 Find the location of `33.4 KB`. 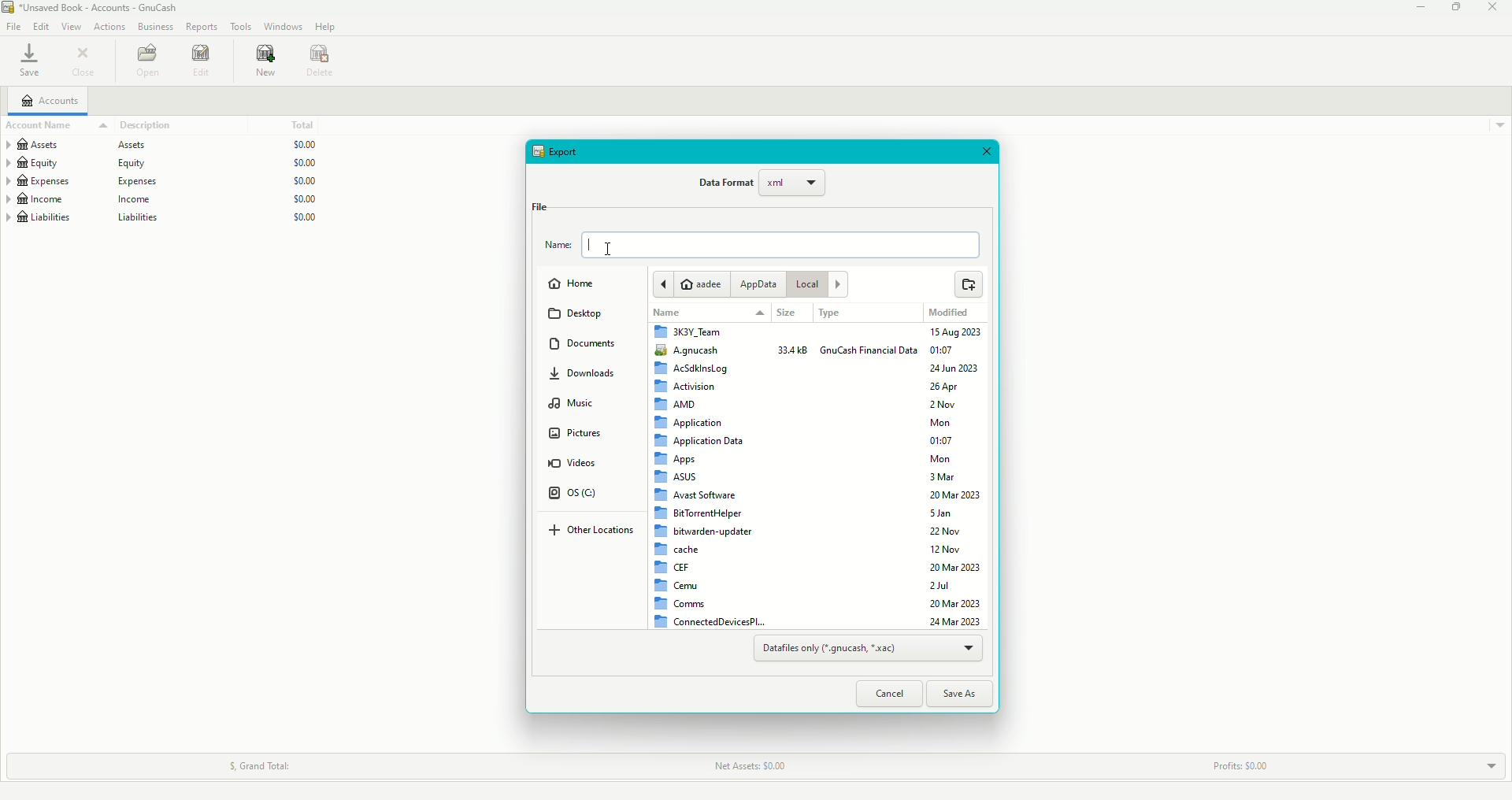

33.4 KB is located at coordinates (793, 350).